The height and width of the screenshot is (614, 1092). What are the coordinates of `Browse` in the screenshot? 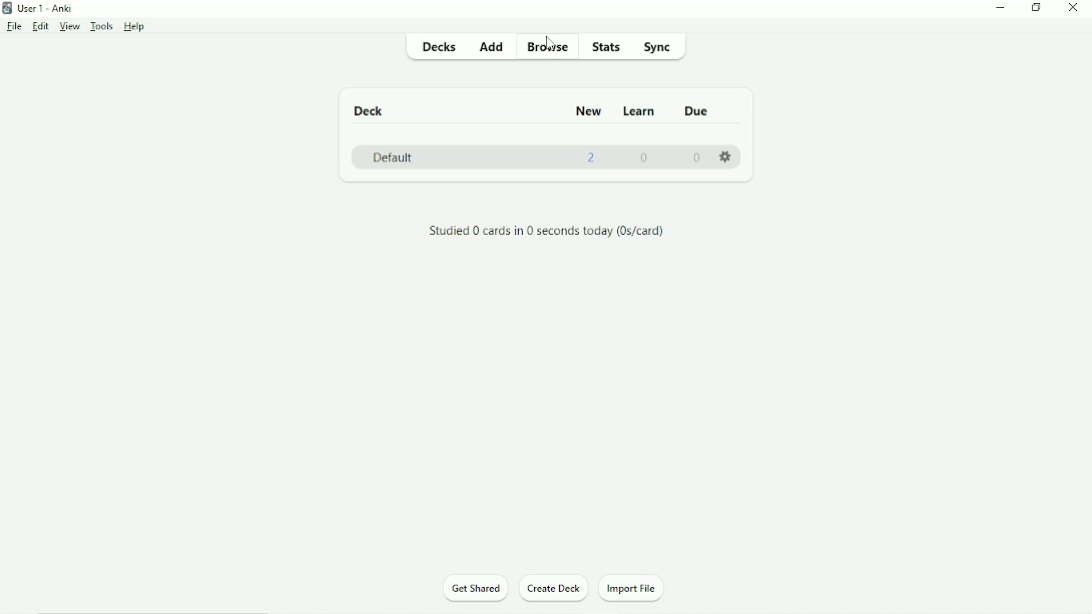 It's located at (549, 47).